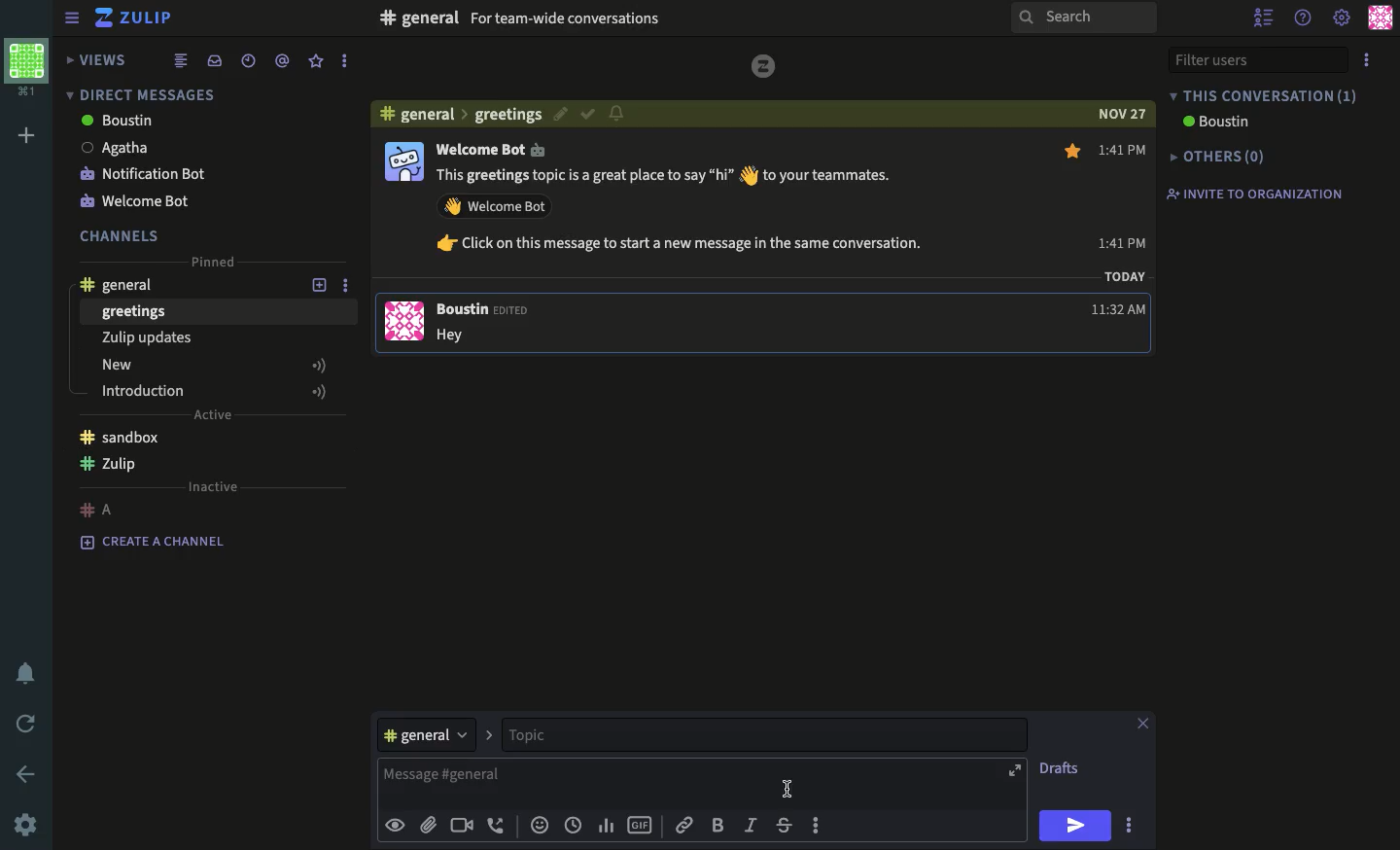  I want to click on inactive, so click(214, 486).